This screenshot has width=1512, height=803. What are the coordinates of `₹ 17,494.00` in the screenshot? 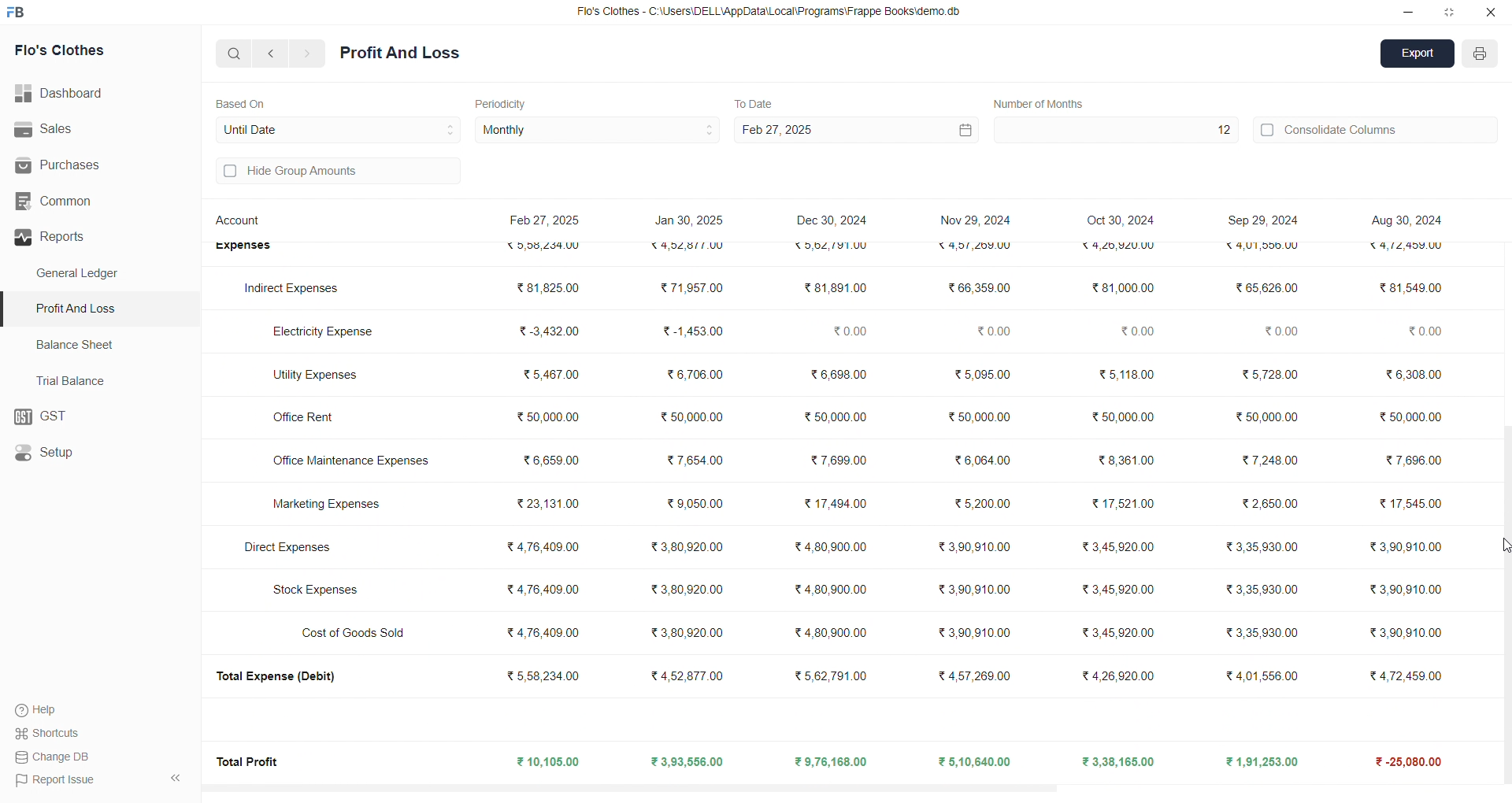 It's located at (833, 501).